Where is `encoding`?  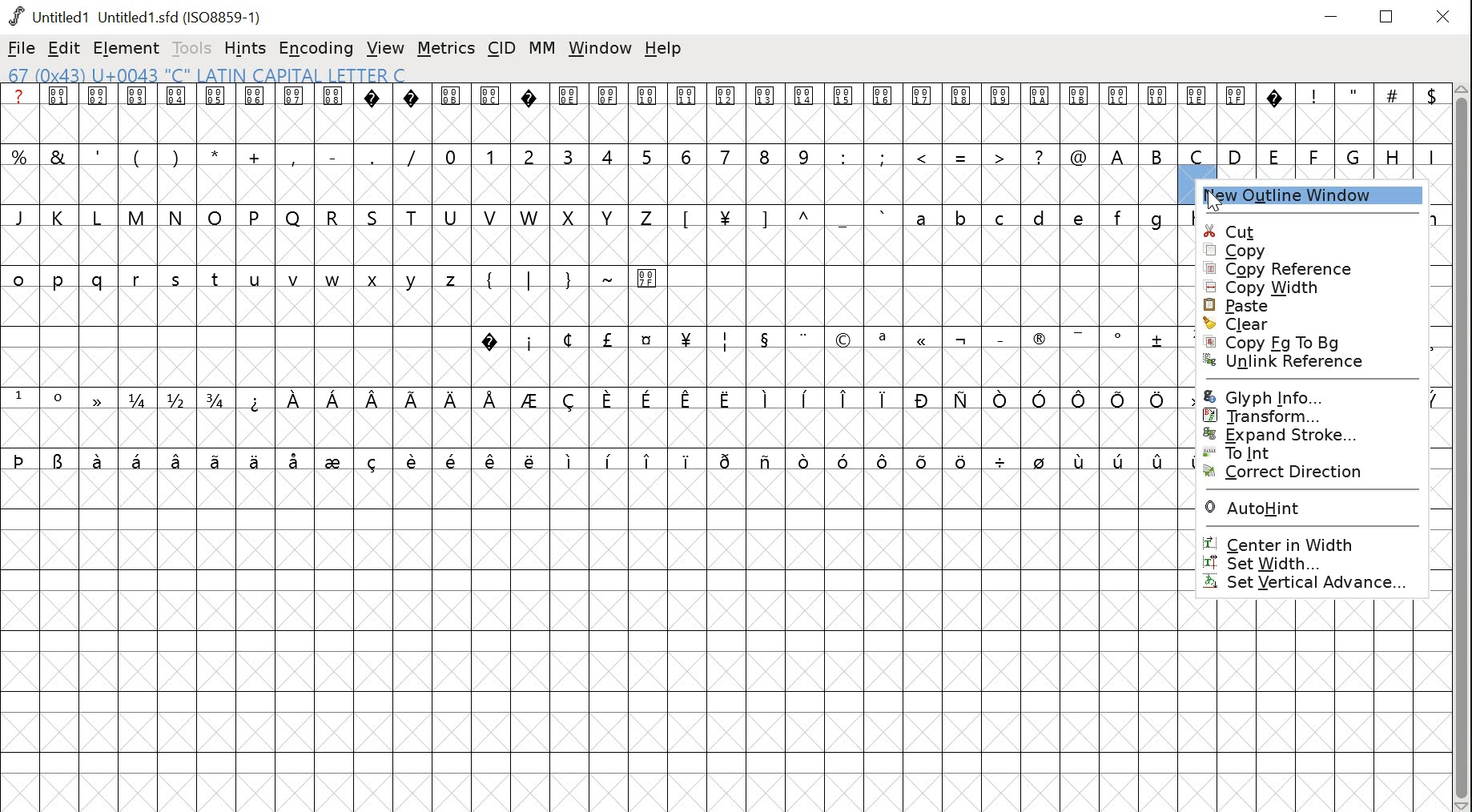 encoding is located at coordinates (315, 50).